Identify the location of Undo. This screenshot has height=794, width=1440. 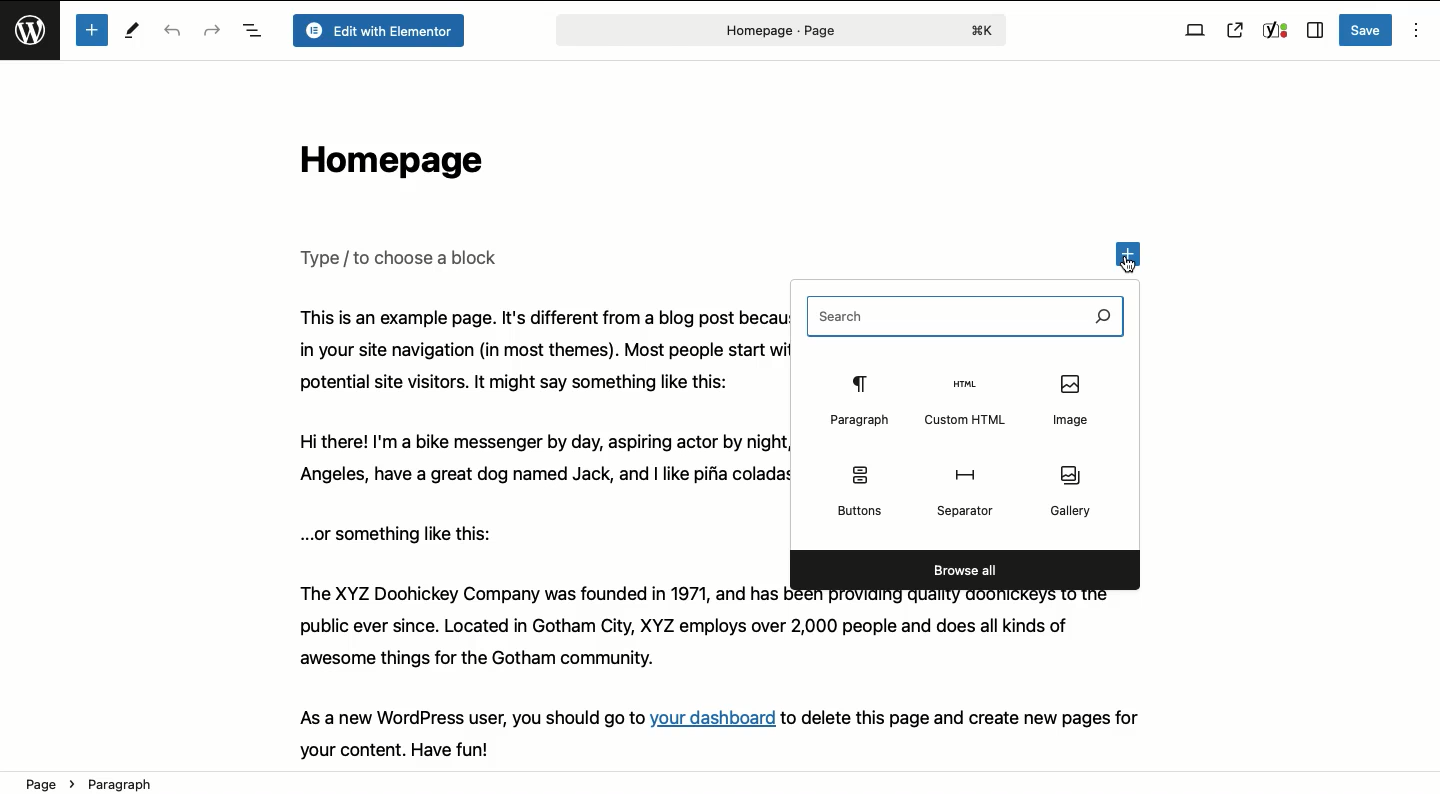
(175, 32).